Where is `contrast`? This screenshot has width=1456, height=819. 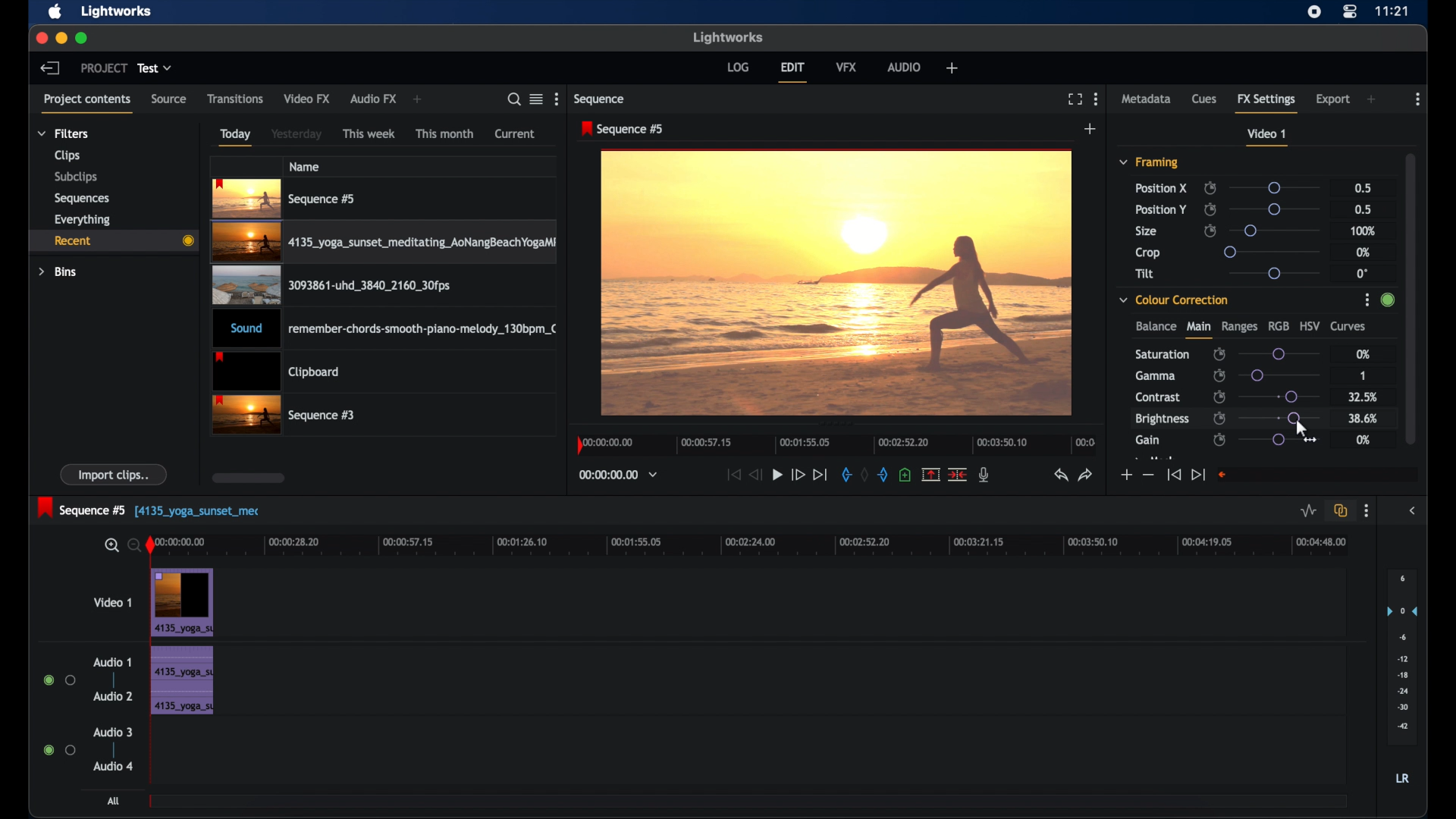 contrast is located at coordinates (1157, 398).